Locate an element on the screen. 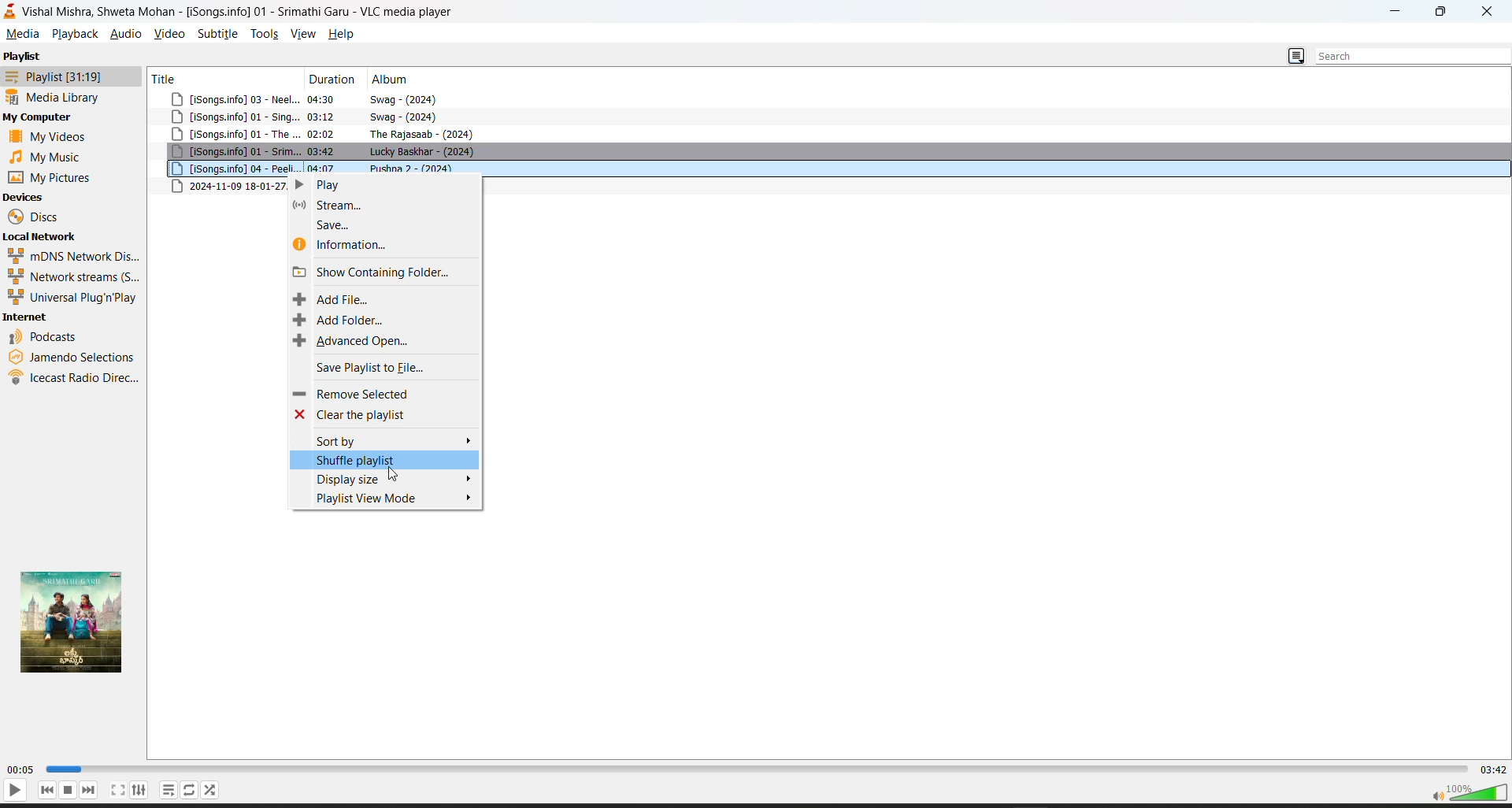  loop is located at coordinates (191, 791).